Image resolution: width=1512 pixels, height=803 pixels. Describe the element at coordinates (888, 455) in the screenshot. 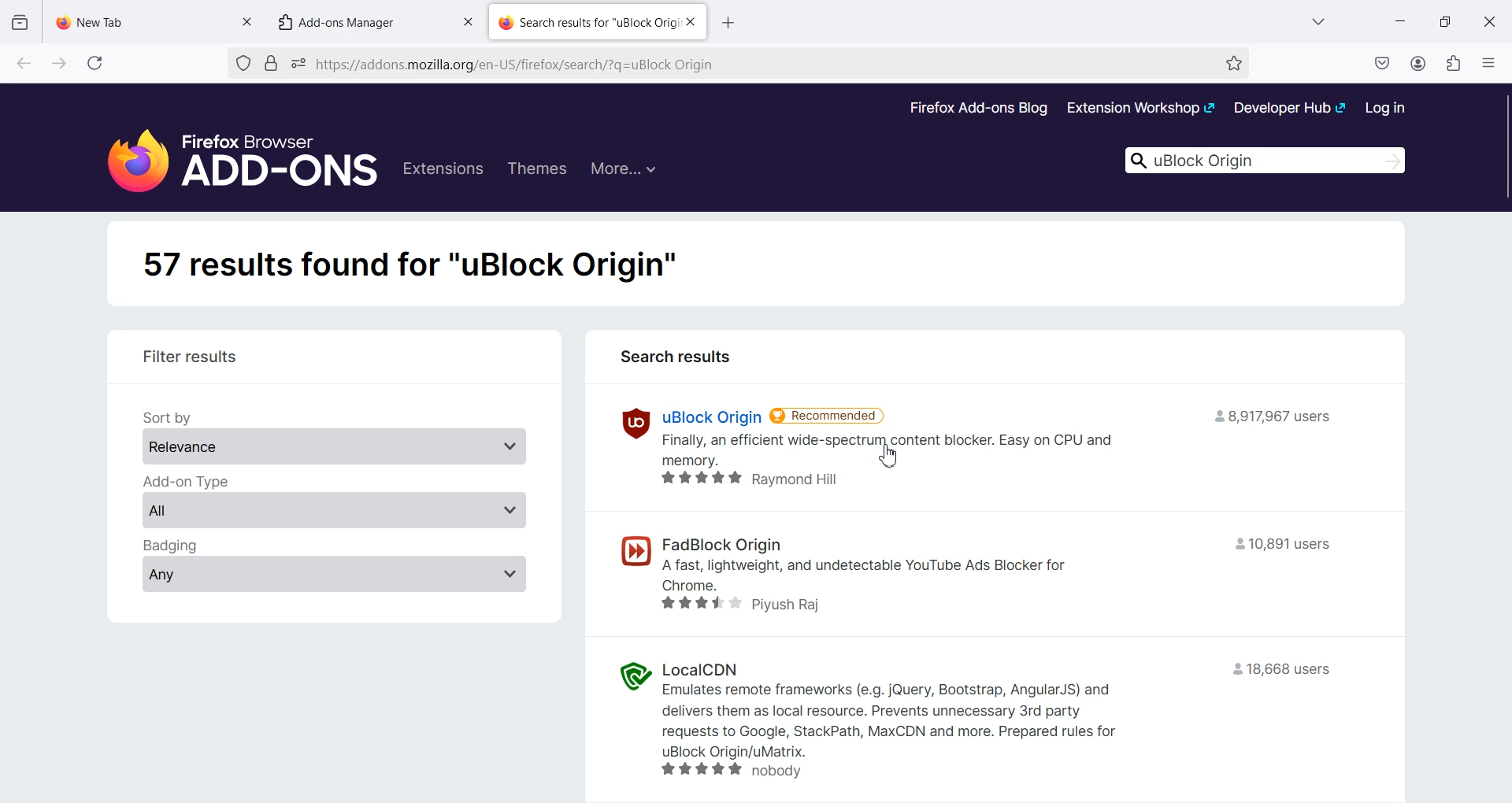

I see `Cursor` at that location.